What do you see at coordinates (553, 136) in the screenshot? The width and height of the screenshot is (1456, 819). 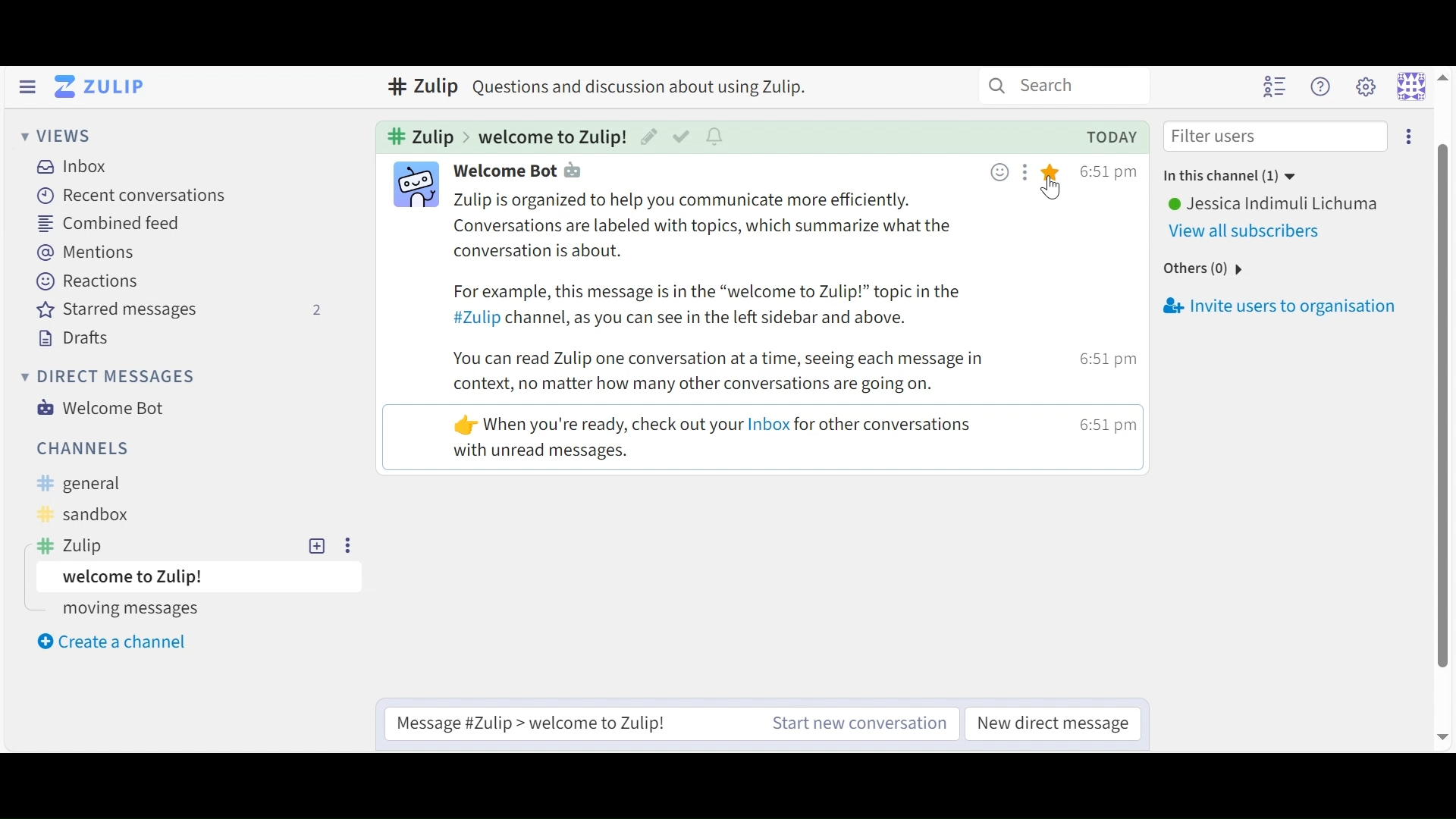 I see `Topic` at bounding box center [553, 136].